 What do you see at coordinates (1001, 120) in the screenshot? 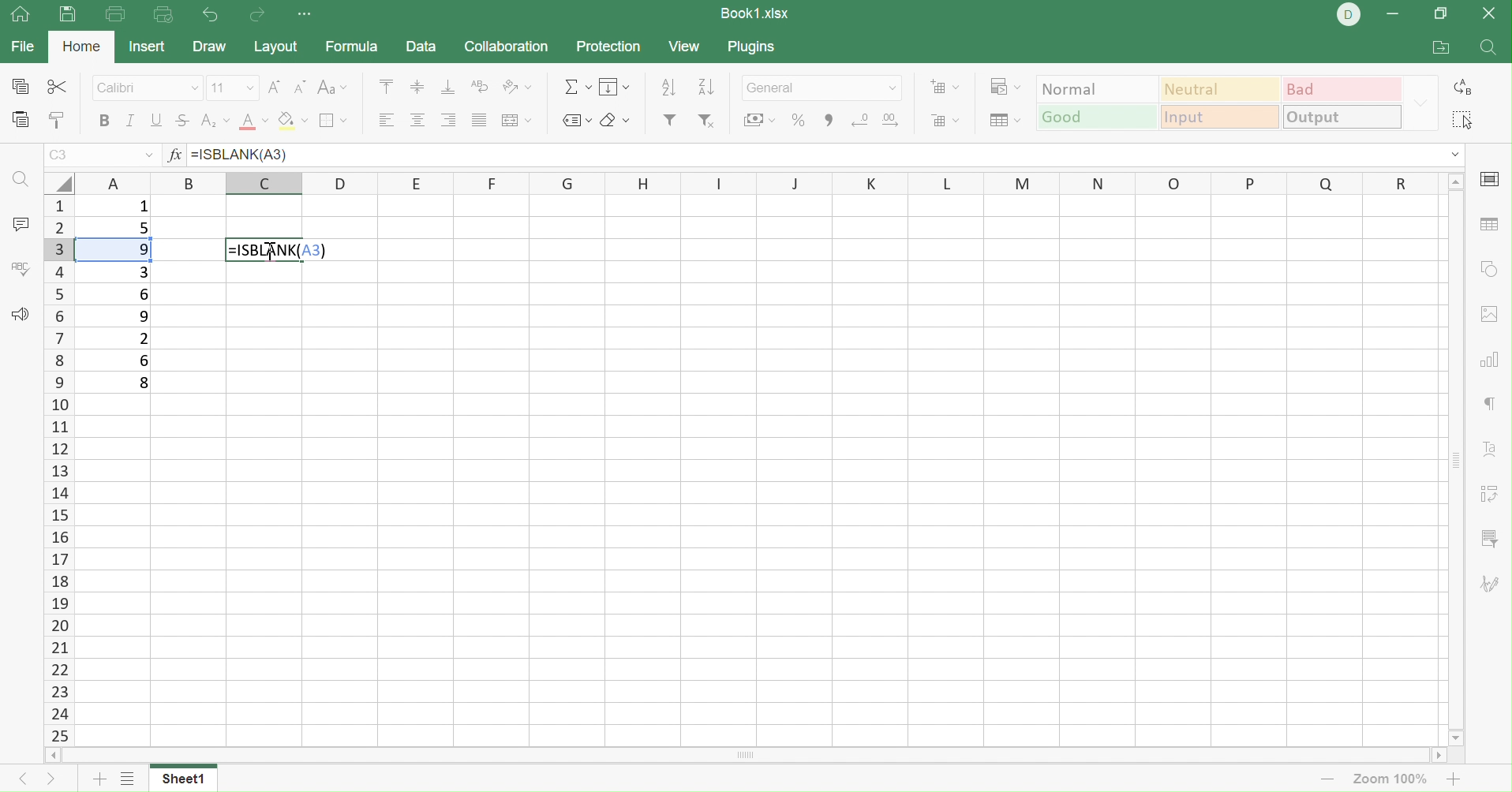
I see `Format as table template` at bounding box center [1001, 120].